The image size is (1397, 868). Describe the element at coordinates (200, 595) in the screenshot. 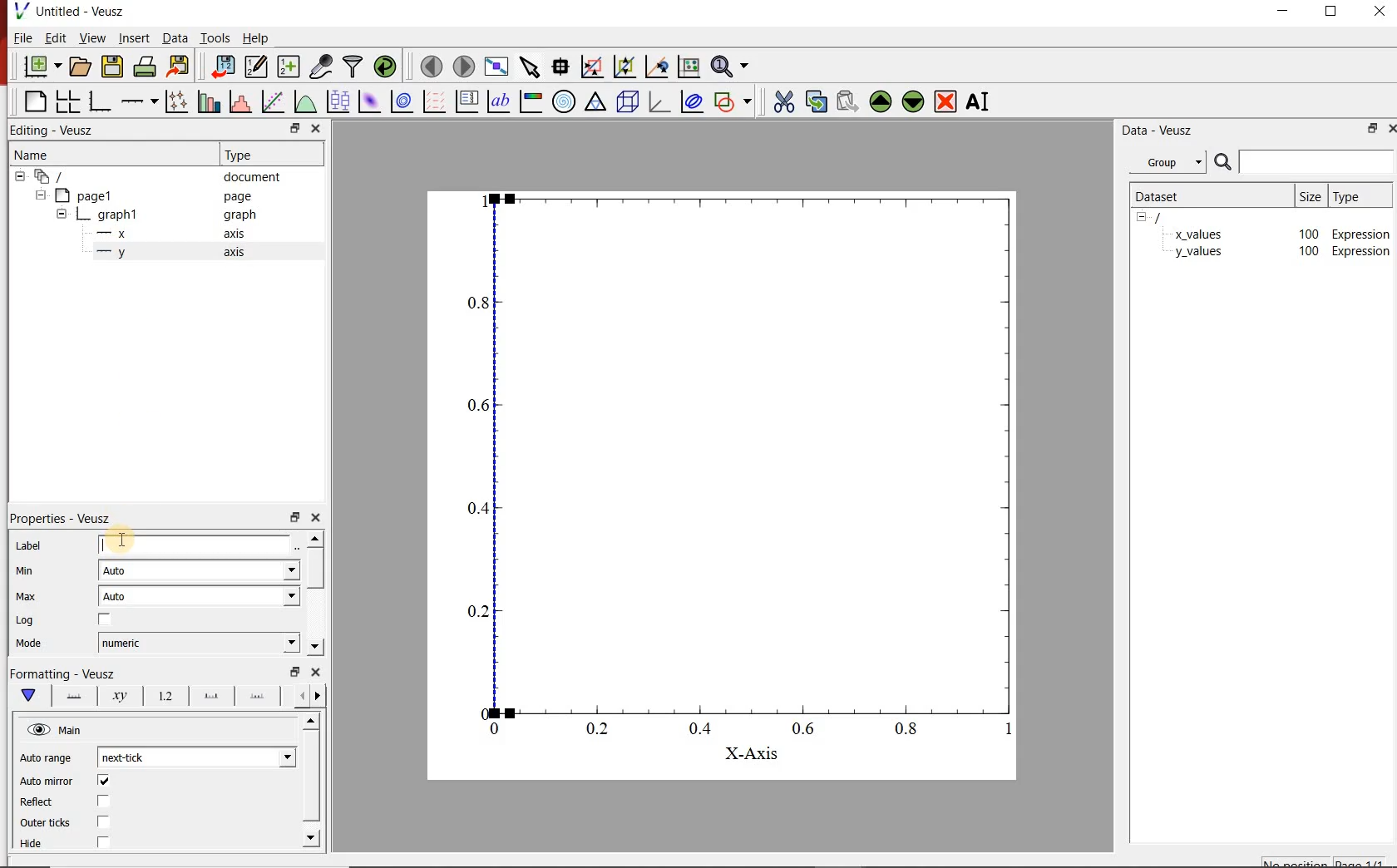

I see `auto` at that location.